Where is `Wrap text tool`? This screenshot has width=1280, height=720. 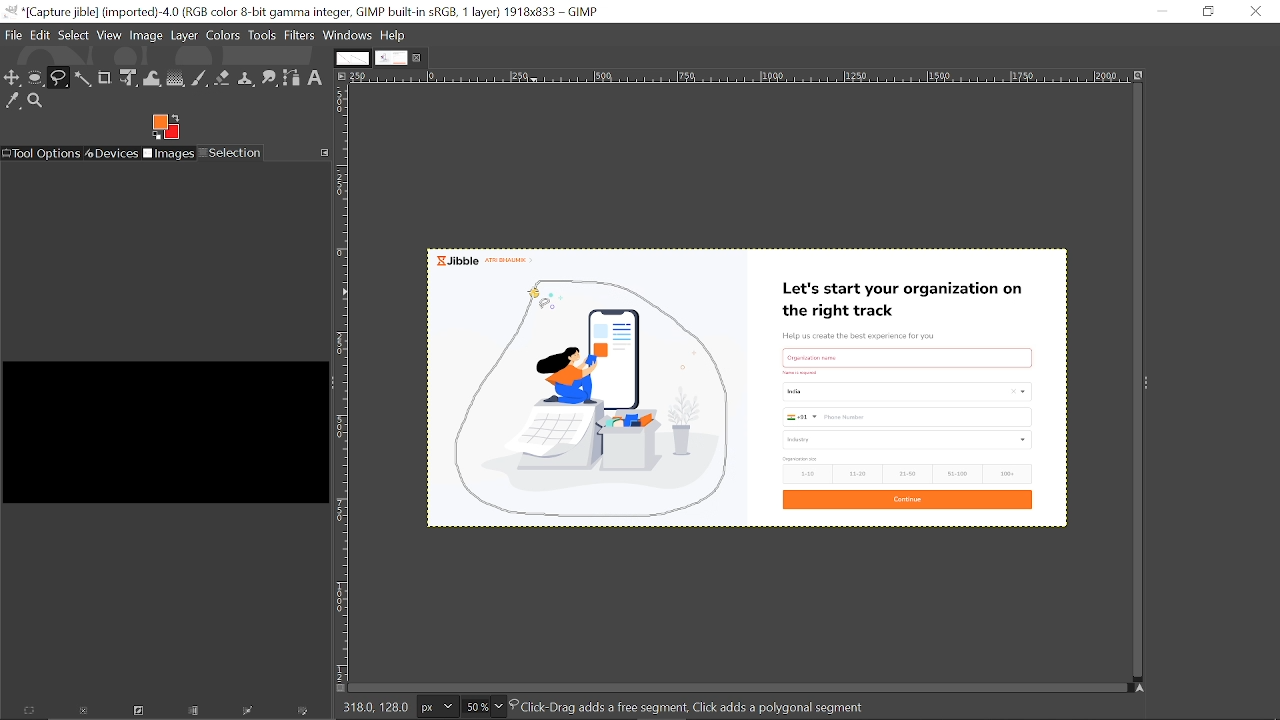 Wrap text tool is located at coordinates (153, 78).